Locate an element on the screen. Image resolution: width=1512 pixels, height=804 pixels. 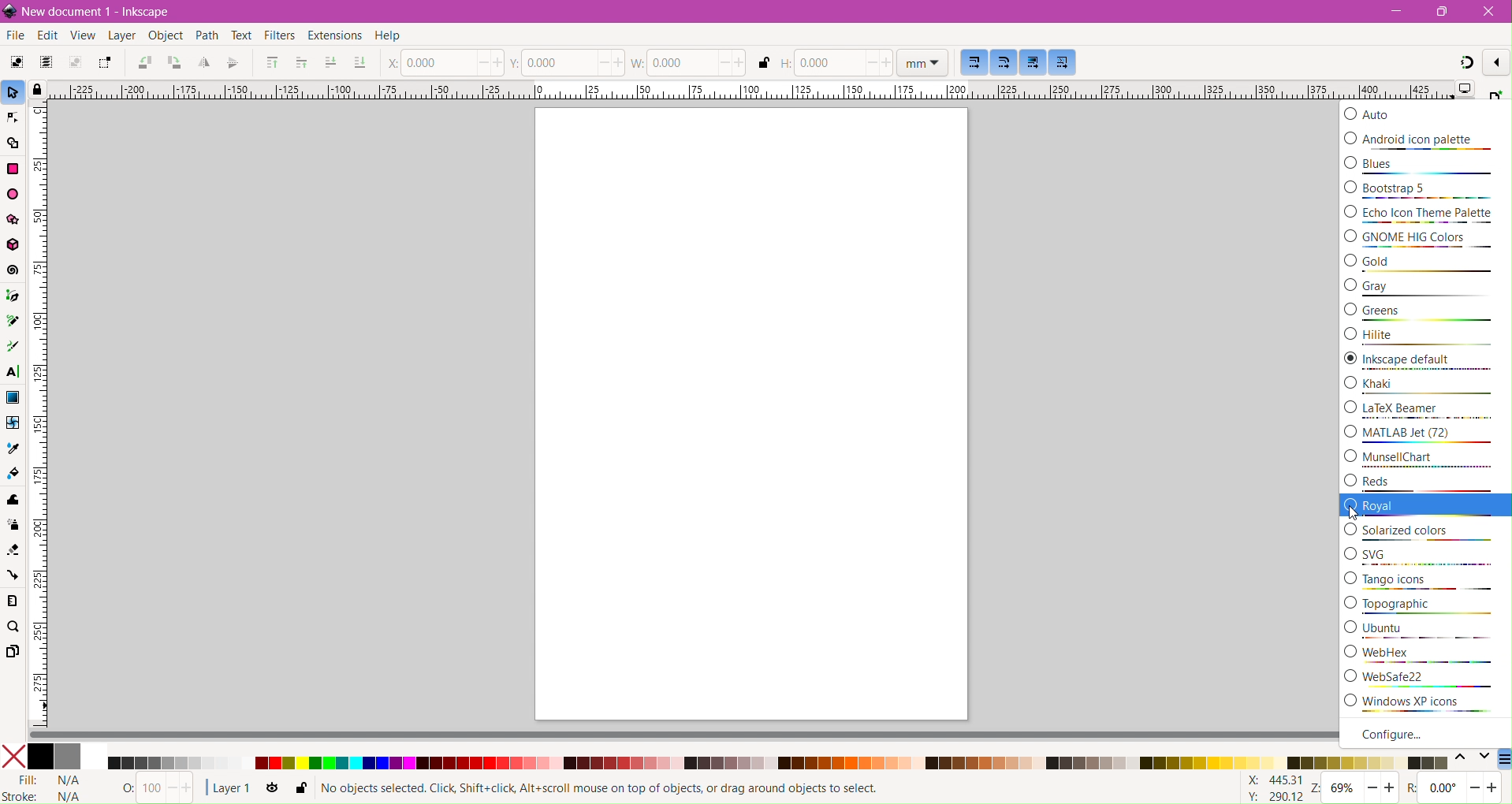
Rotation is located at coordinates (1454, 789).